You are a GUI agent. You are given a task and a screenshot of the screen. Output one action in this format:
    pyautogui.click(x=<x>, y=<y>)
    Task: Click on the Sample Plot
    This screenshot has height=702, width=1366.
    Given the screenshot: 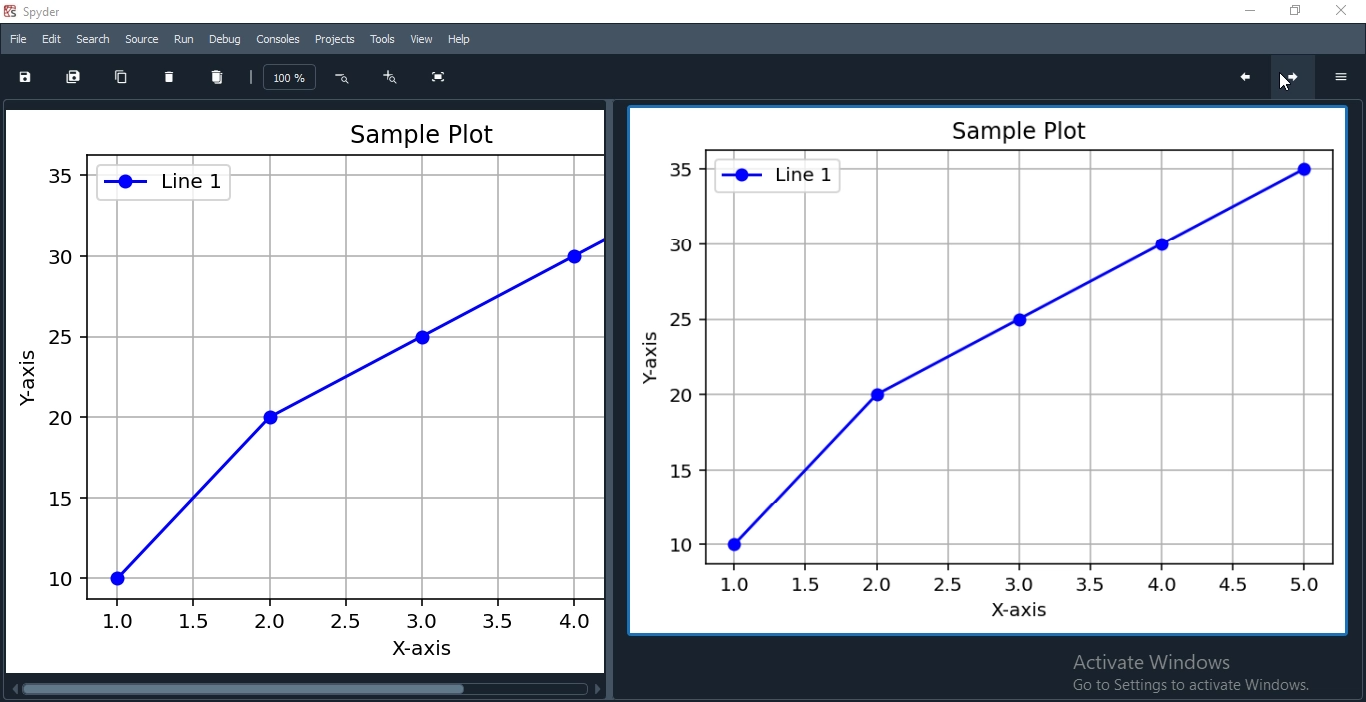 What is the action you would take?
    pyautogui.click(x=304, y=389)
    